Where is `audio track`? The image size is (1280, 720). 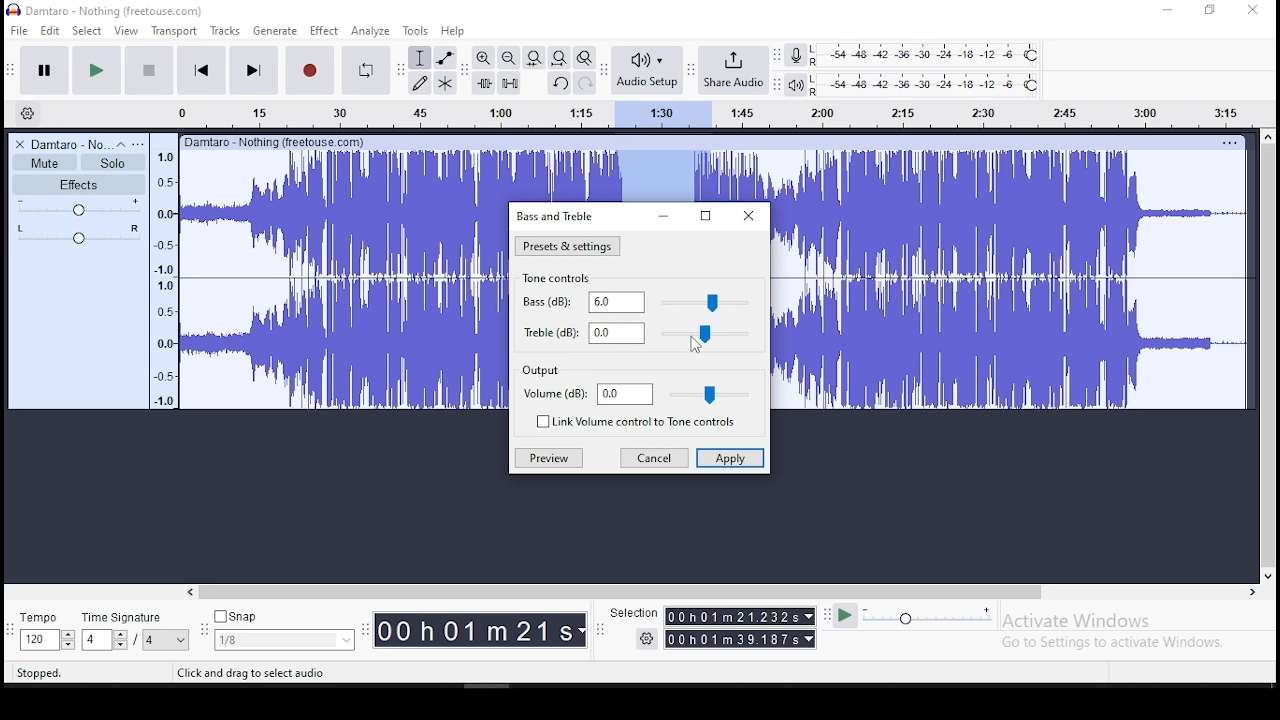
audio track is located at coordinates (1011, 213).